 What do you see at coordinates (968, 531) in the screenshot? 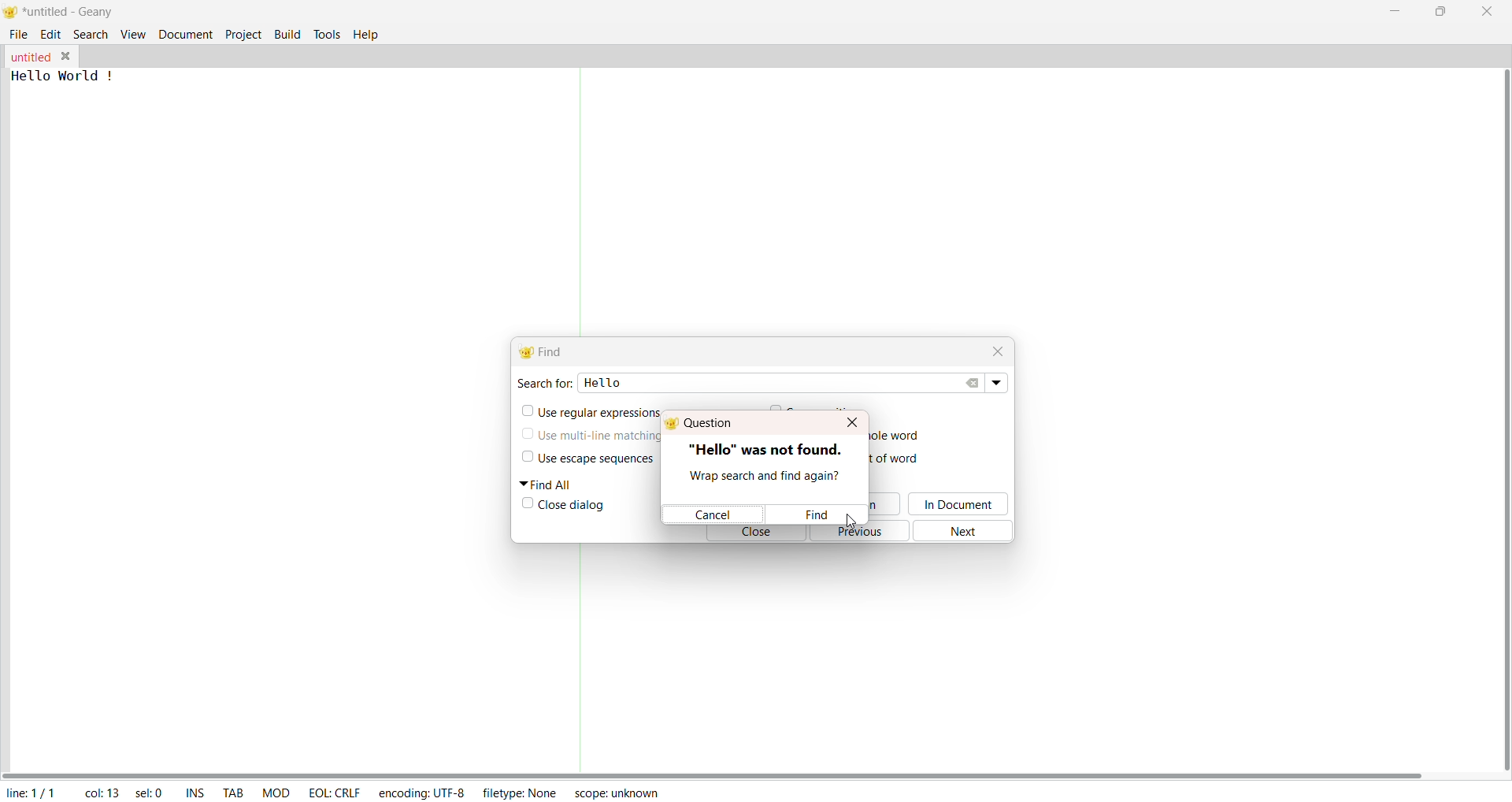
I see `Next` at bounding box center [968, 531].